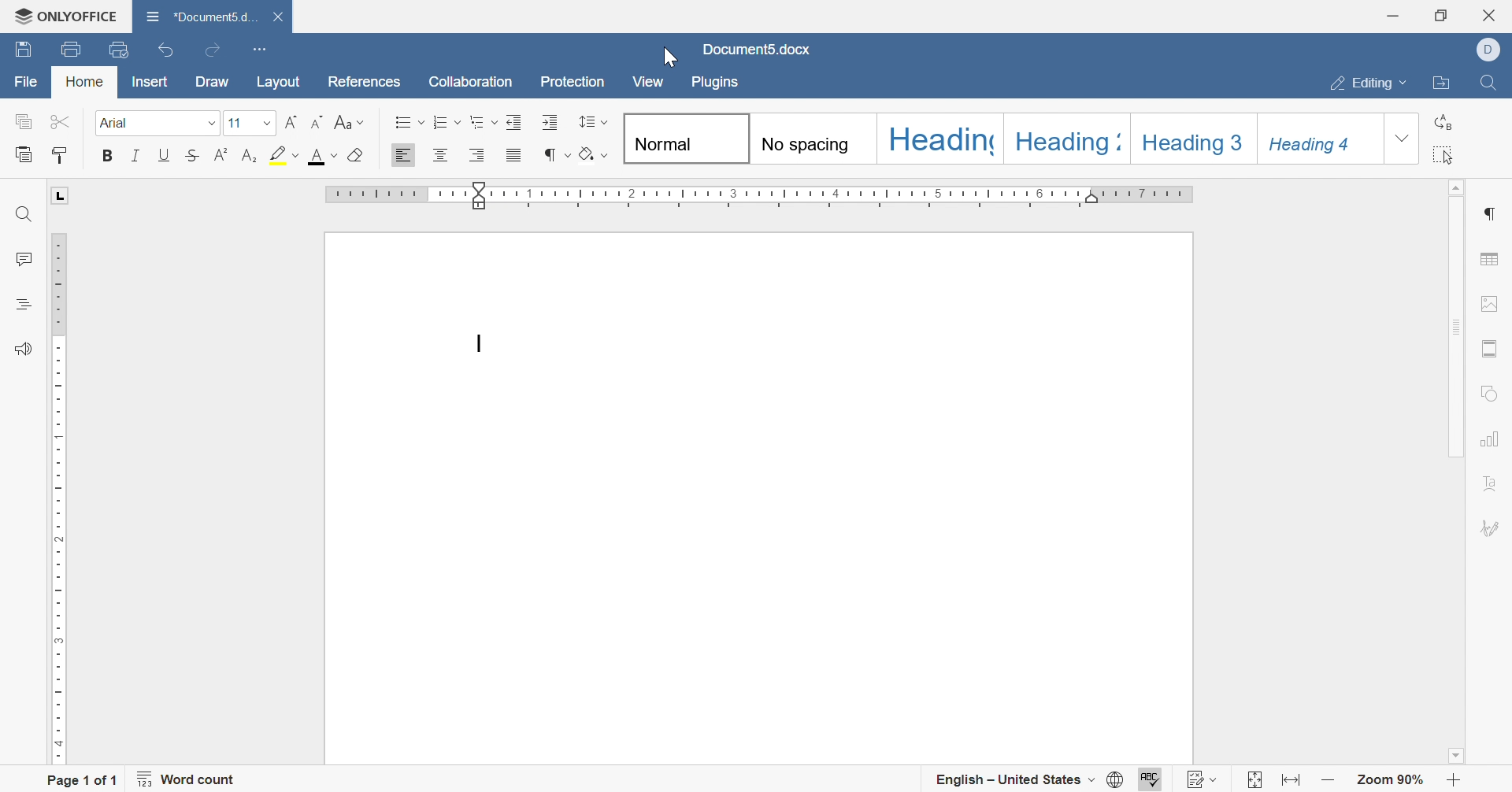 Image resolution: width=1512 pixels, height=792 pixels. What do you see at coordinates (1459, 185) in the screenshot?
I see `scroll up` at bounding box center [1459, 185].